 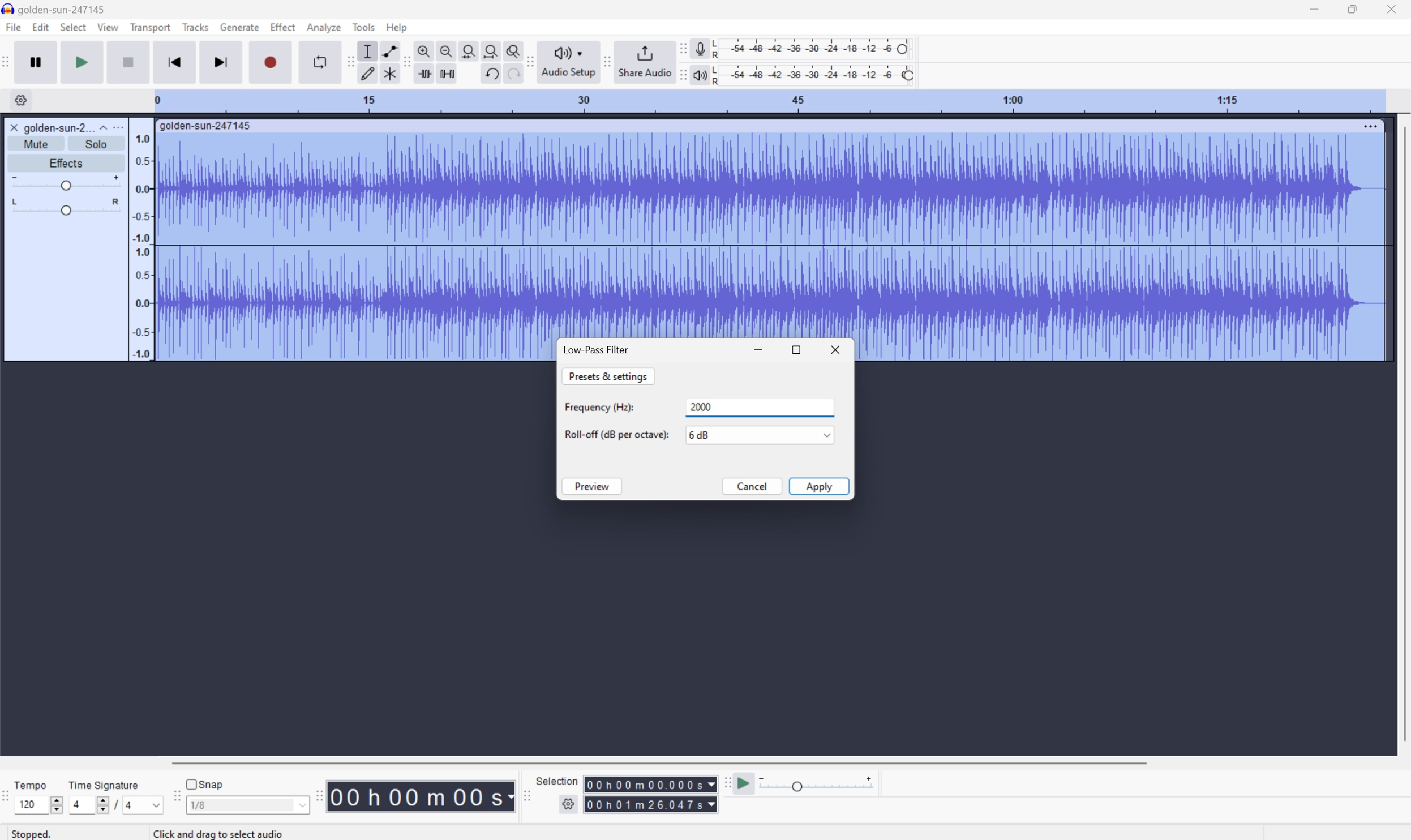 What do you see at coordinates (820, 783) in the screenshot?
I see `Play back speed` at bounding box center [820, 783].